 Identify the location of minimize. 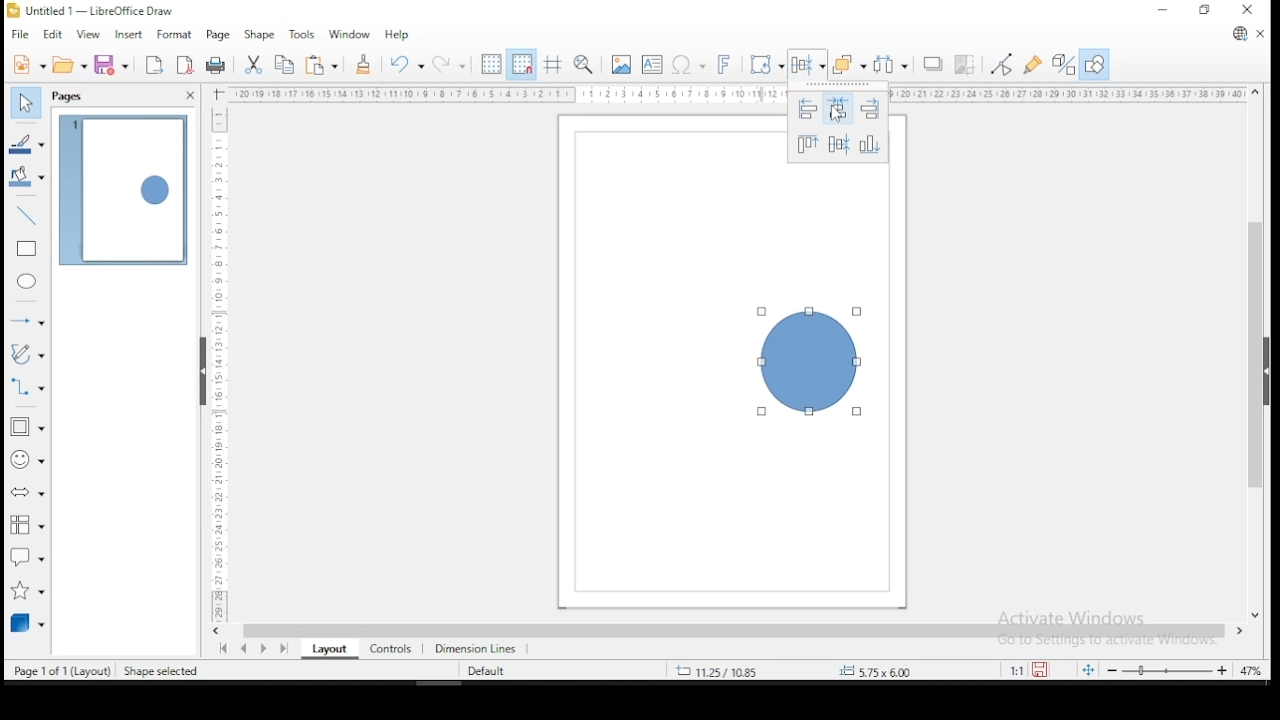
(1165, 9).